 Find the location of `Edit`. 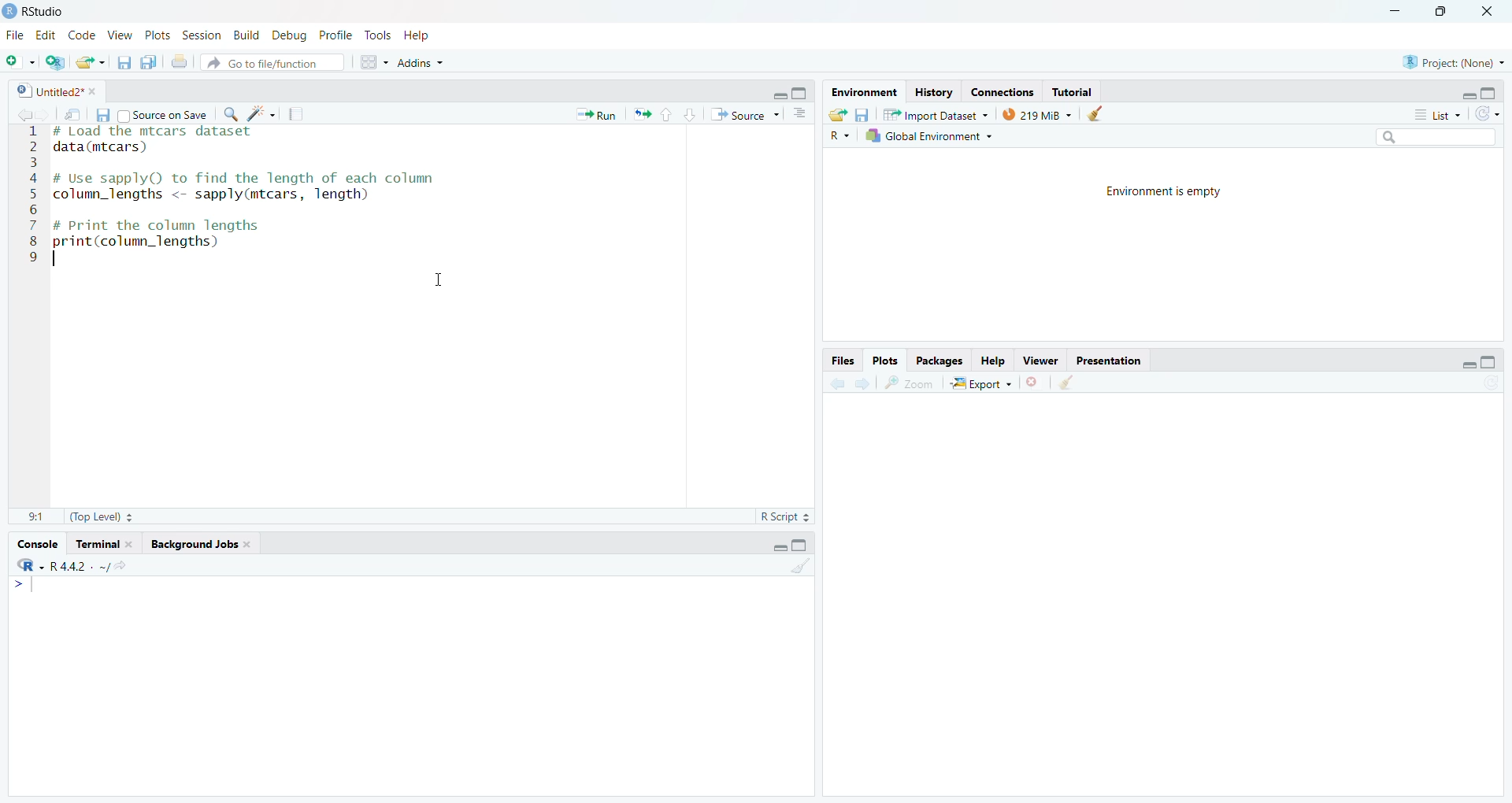

Edit is located at coordinates (47, 35).